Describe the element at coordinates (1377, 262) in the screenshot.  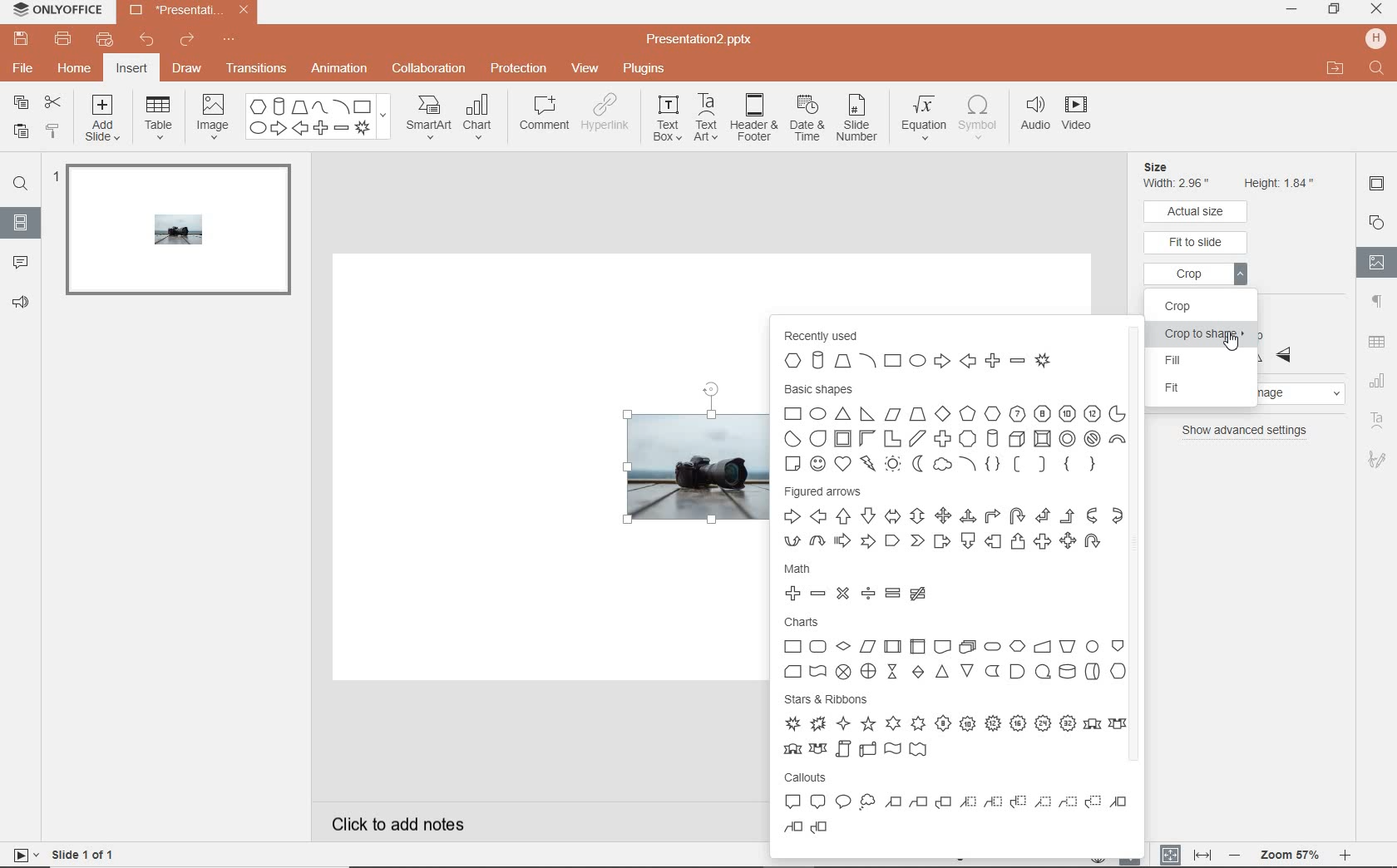
I see `image settings` at that location.